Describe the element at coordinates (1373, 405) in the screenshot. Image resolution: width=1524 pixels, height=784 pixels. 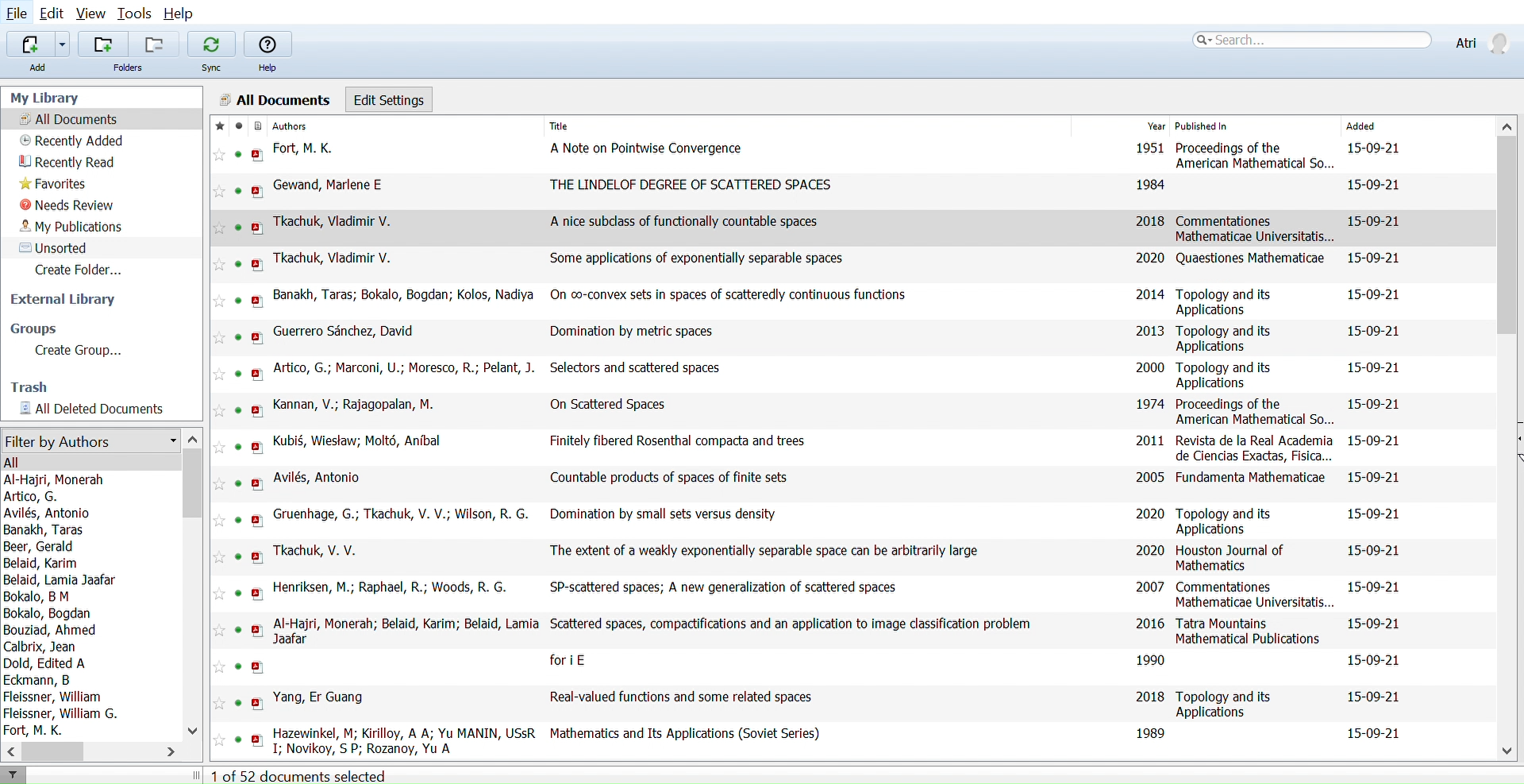
I see `15-09-21` at that location.